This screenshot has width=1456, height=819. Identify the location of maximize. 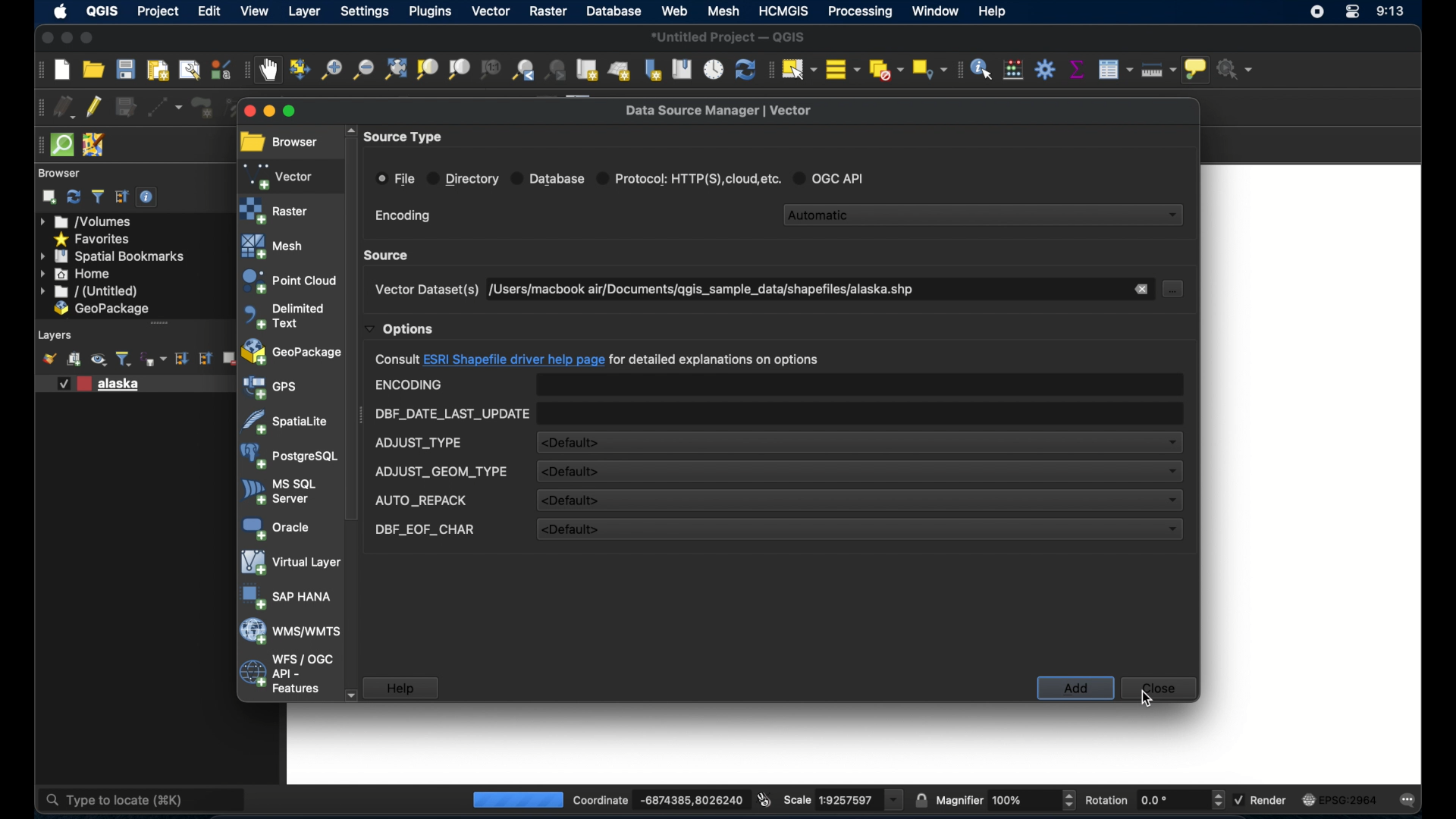
(89, 38).